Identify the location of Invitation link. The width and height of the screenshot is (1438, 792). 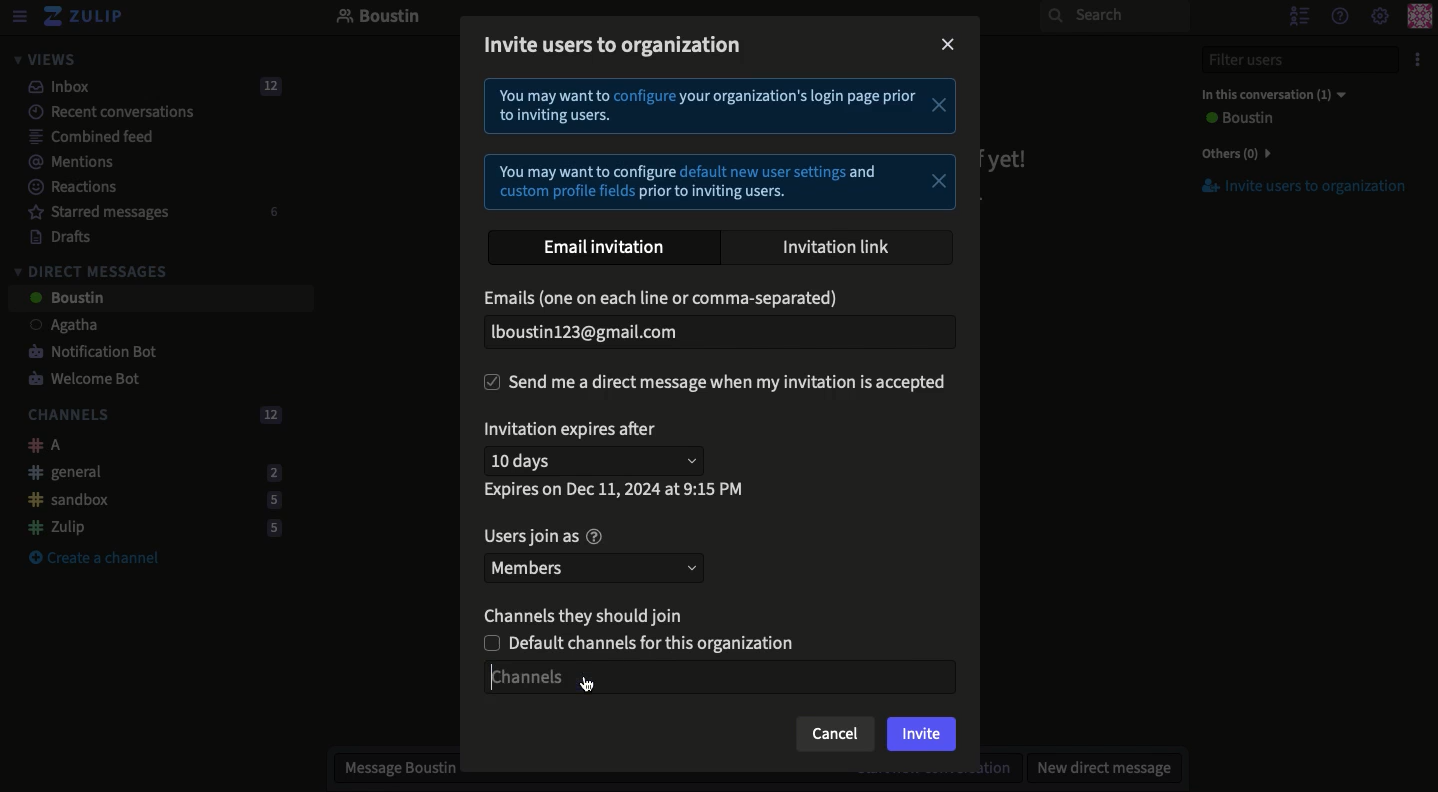
(838, 245).